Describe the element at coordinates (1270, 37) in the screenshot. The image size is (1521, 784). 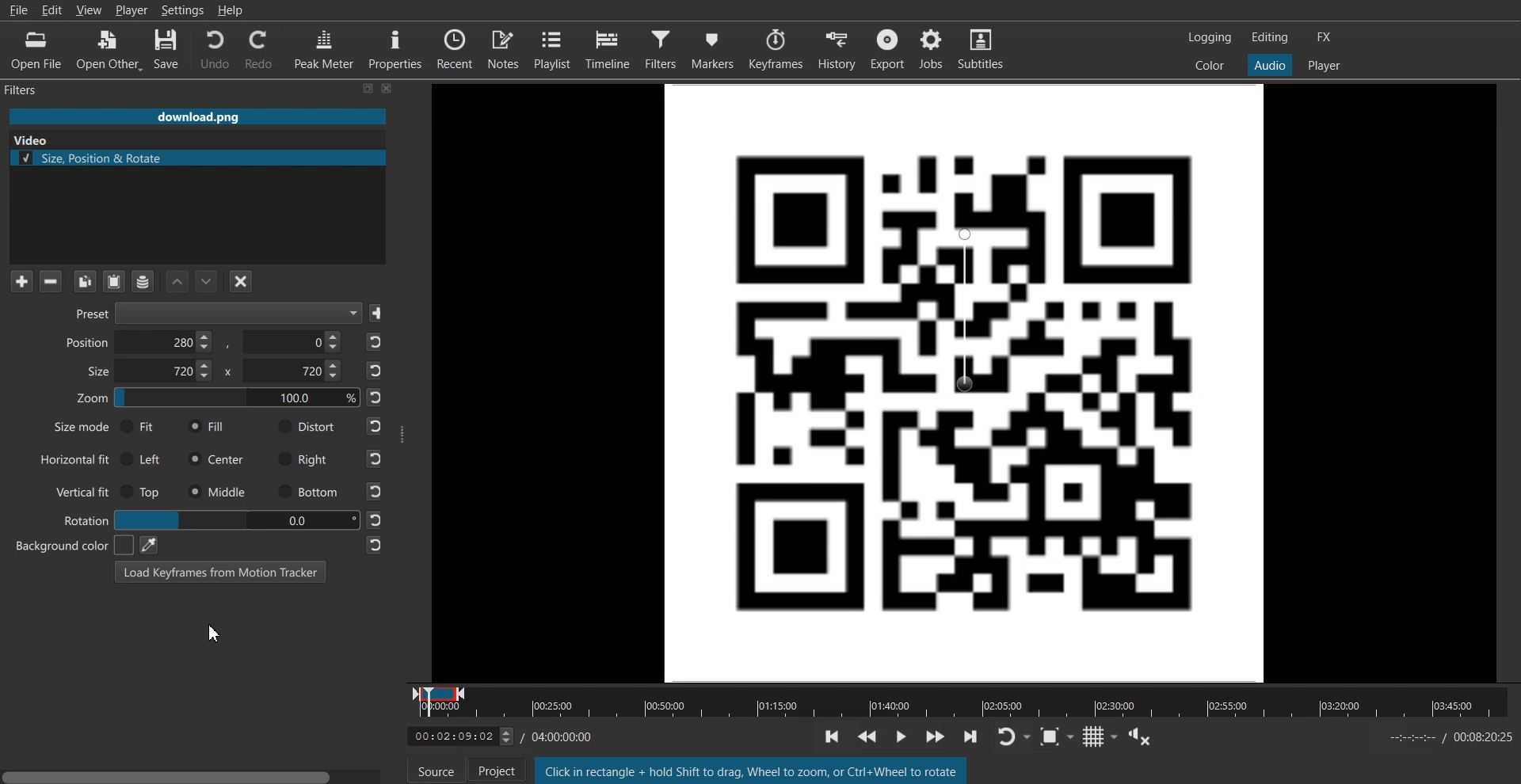
I see `Switch to the Editor layout` at that location.